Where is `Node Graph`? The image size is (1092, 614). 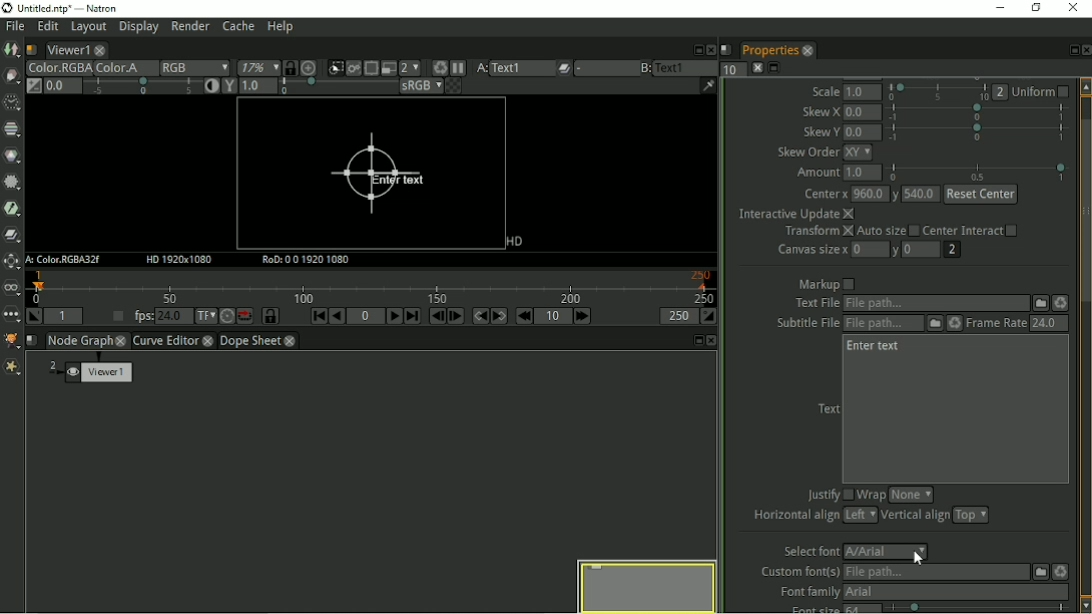 Node Graph is located at coordinates (80, 341).